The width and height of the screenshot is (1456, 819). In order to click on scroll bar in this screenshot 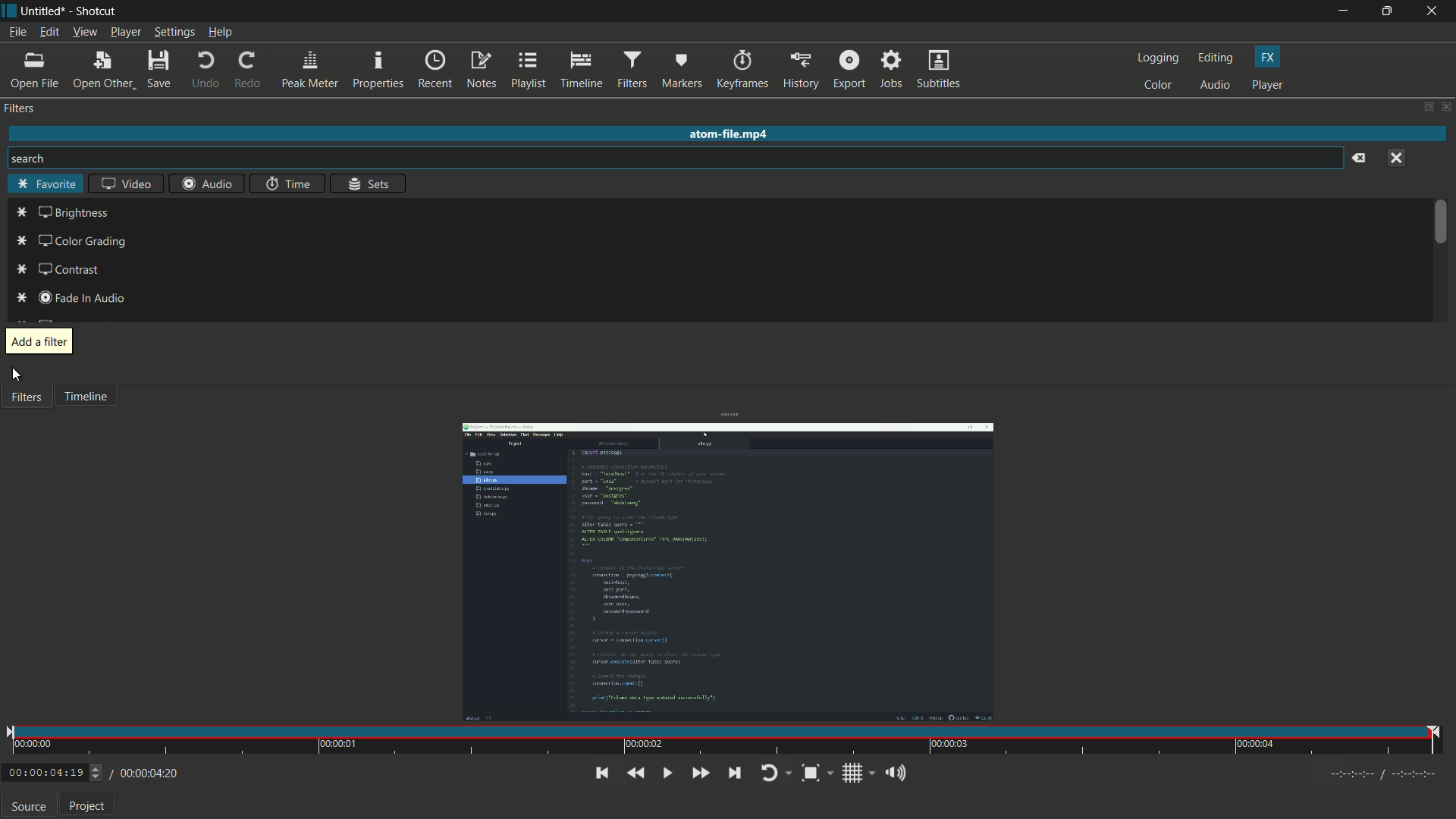, I will do `click(1440, 221)`.